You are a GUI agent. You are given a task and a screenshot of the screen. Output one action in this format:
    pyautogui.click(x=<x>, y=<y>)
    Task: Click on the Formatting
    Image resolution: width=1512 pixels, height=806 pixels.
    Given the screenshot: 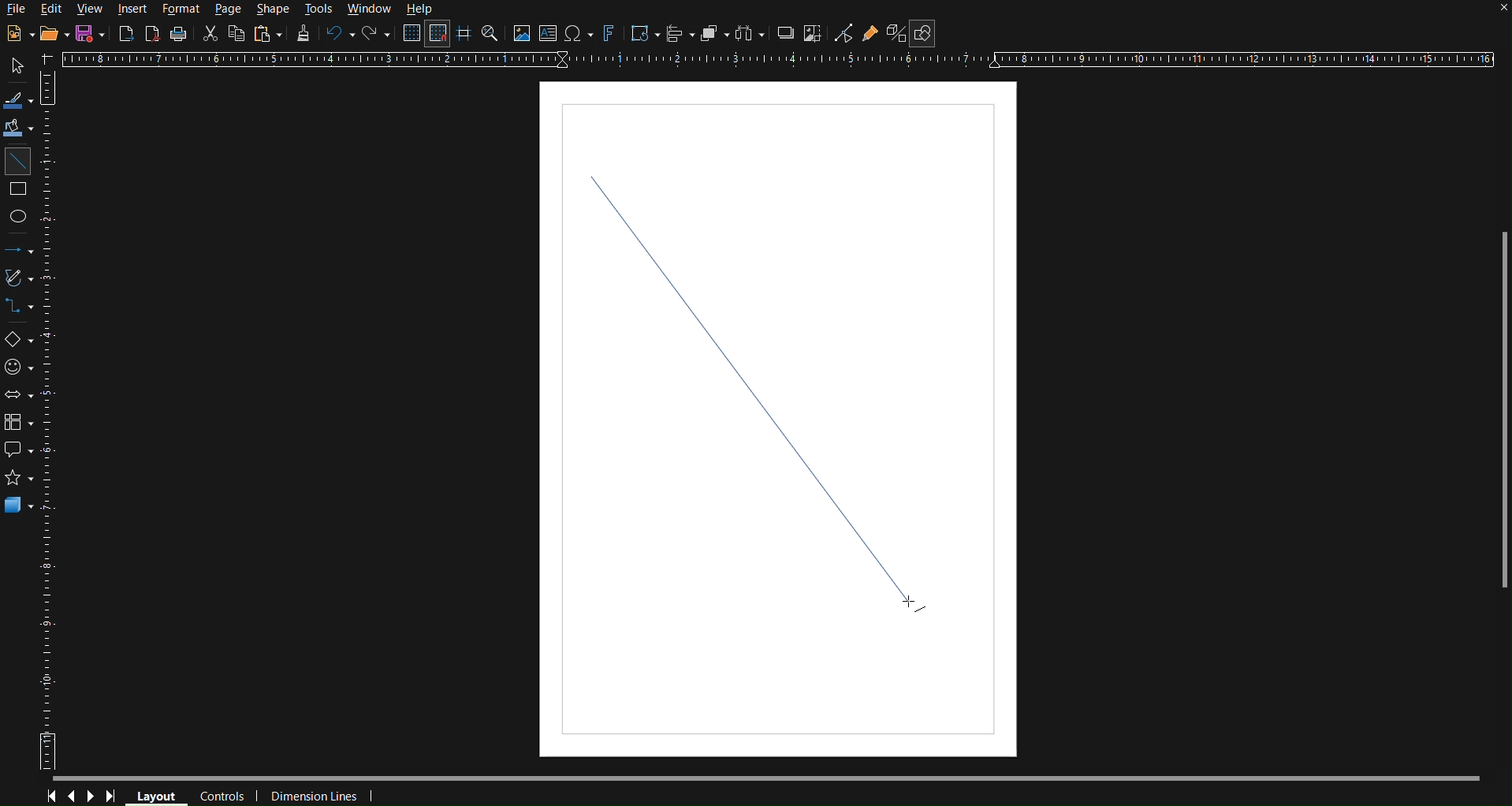 What is the action you would take?
    pyautogui.click(x=303, y=35)
    